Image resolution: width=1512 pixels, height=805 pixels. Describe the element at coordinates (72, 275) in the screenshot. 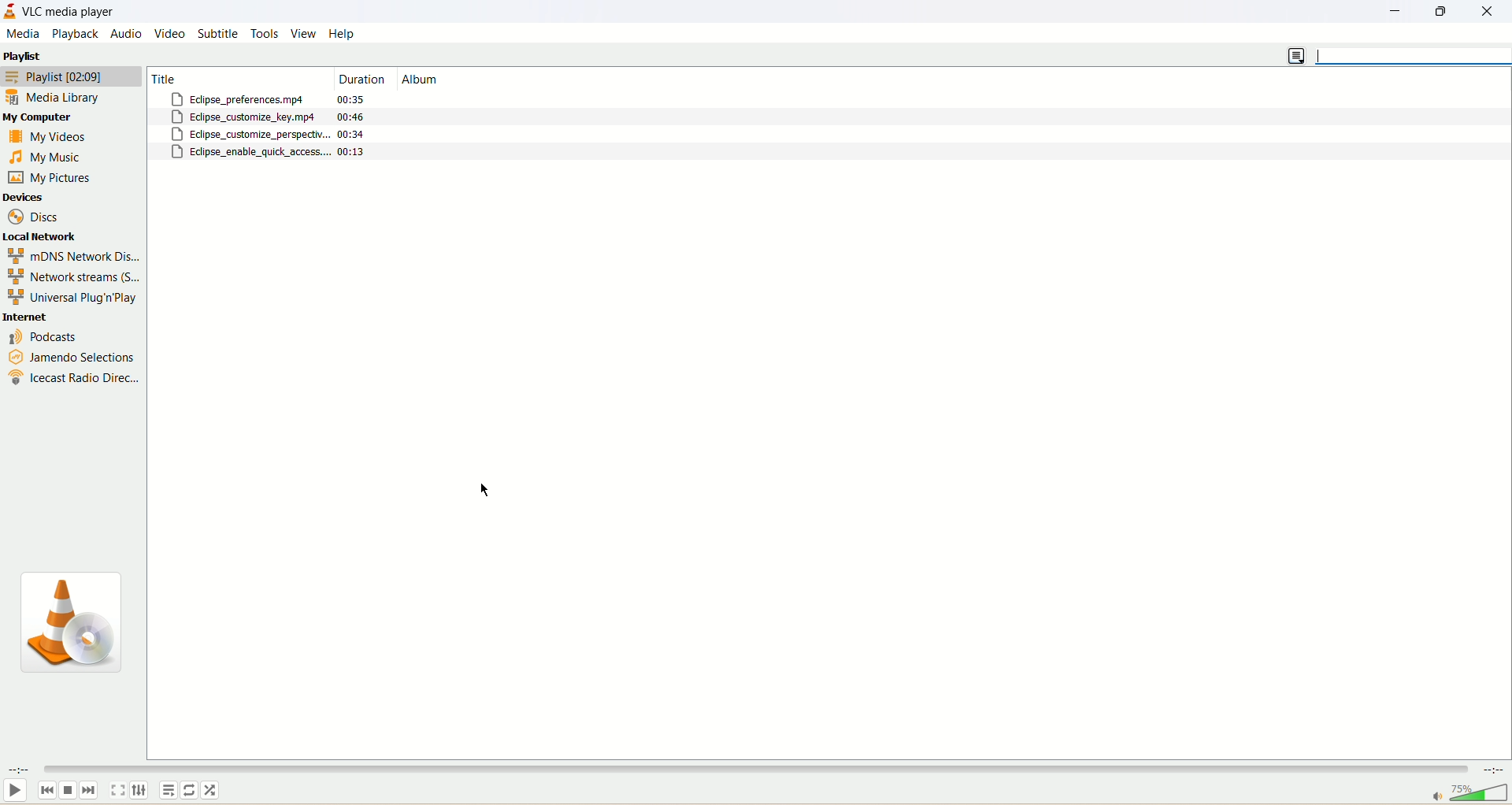

I see `network streams` at that location.